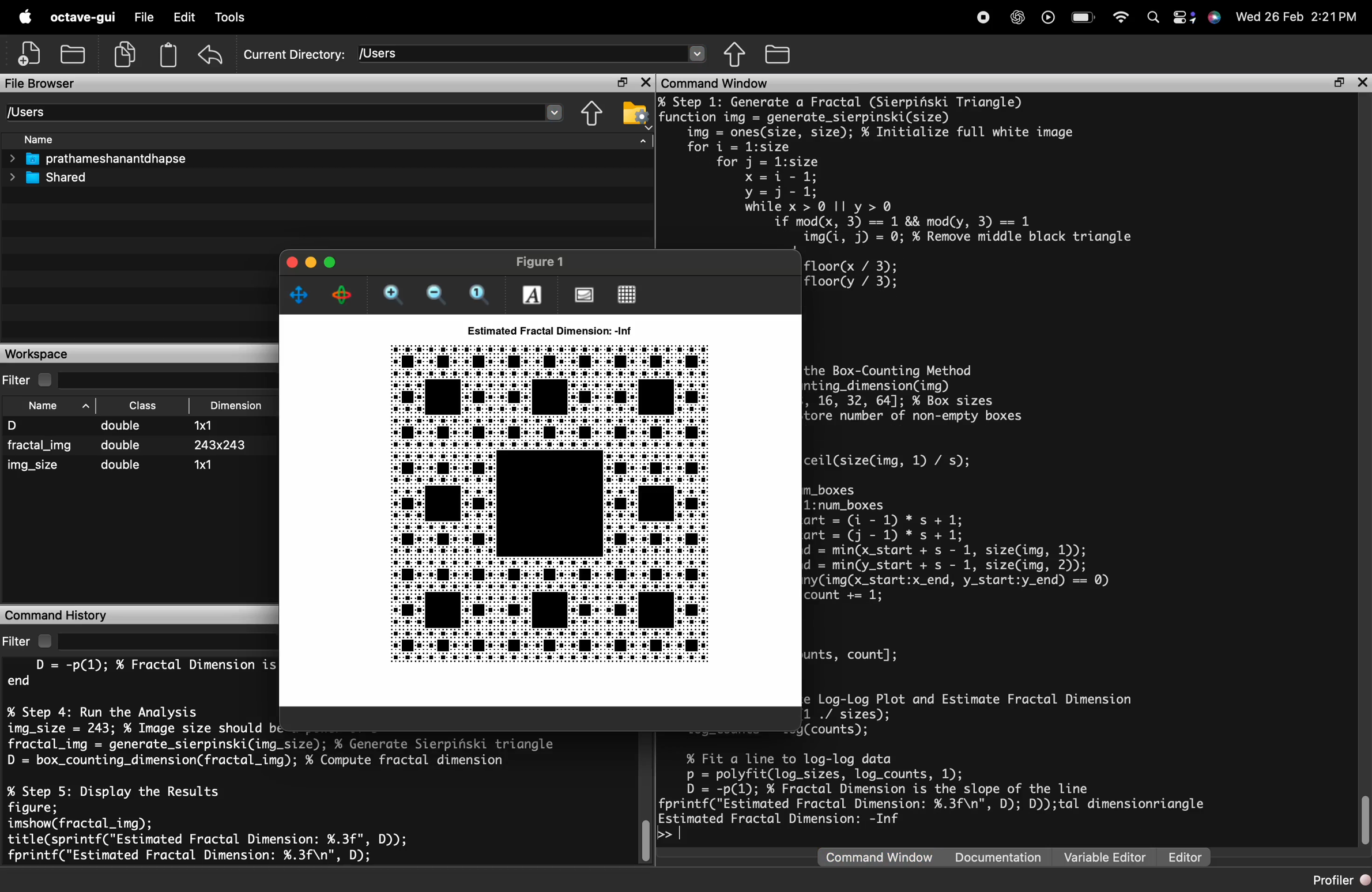  Describe the element at coordinates (336, 263) in the screenshot. I see `minimize` at that location.